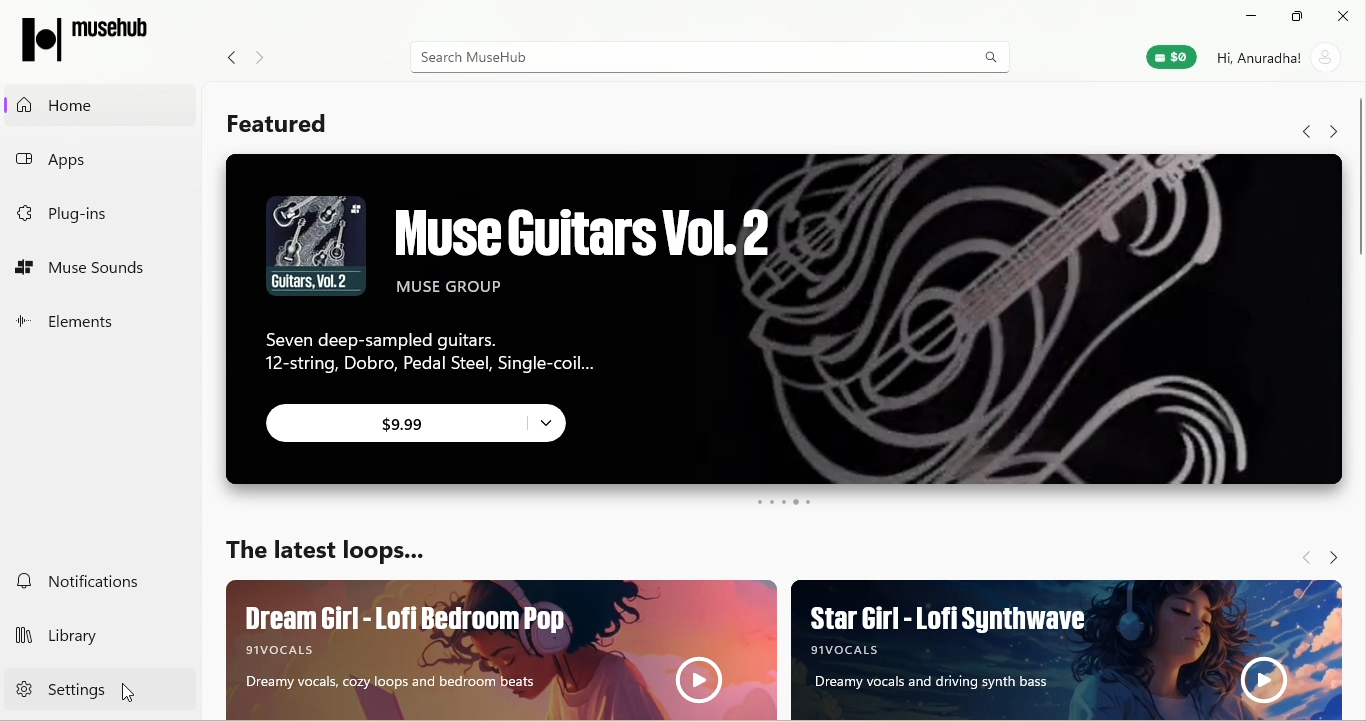 The width and height of the screenshot is (1366, 722). I want to click on Star girl-Lofi synthwave, so click(1077, 649).